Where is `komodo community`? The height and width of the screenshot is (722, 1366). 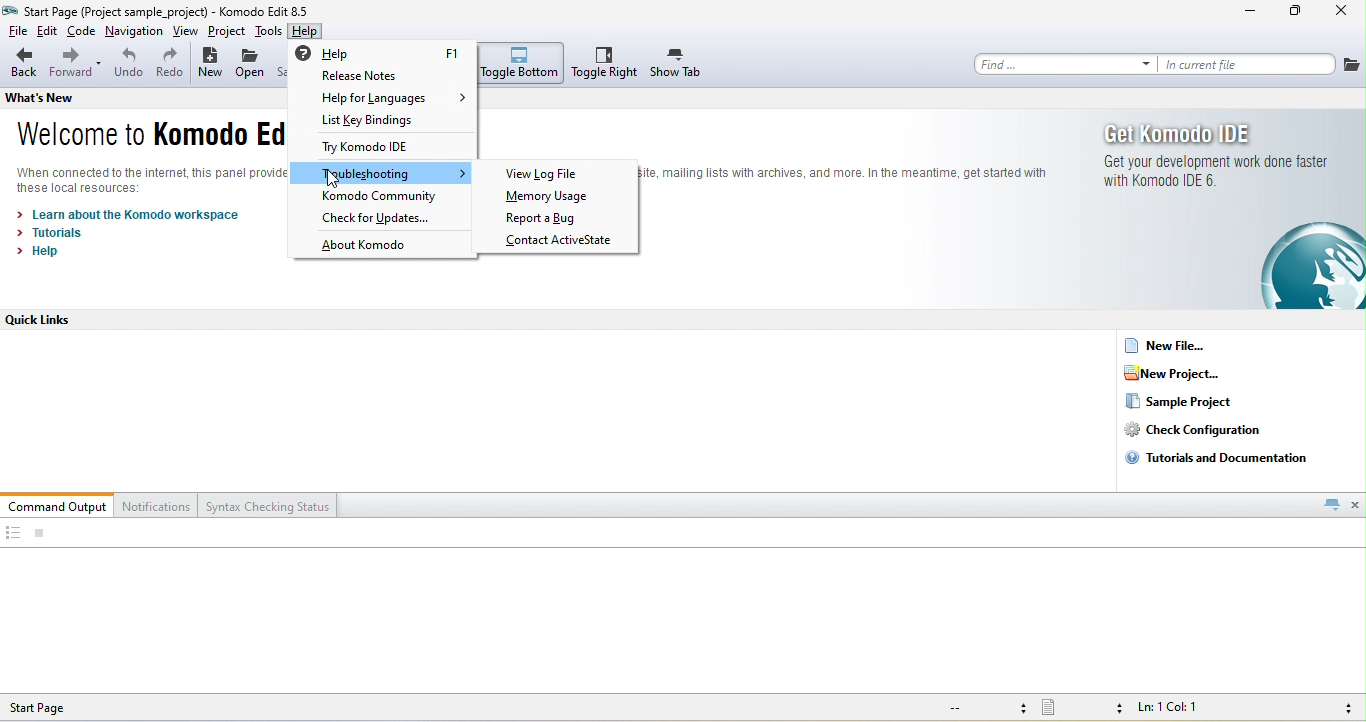
komodo community is located at coordinates (382, 197).